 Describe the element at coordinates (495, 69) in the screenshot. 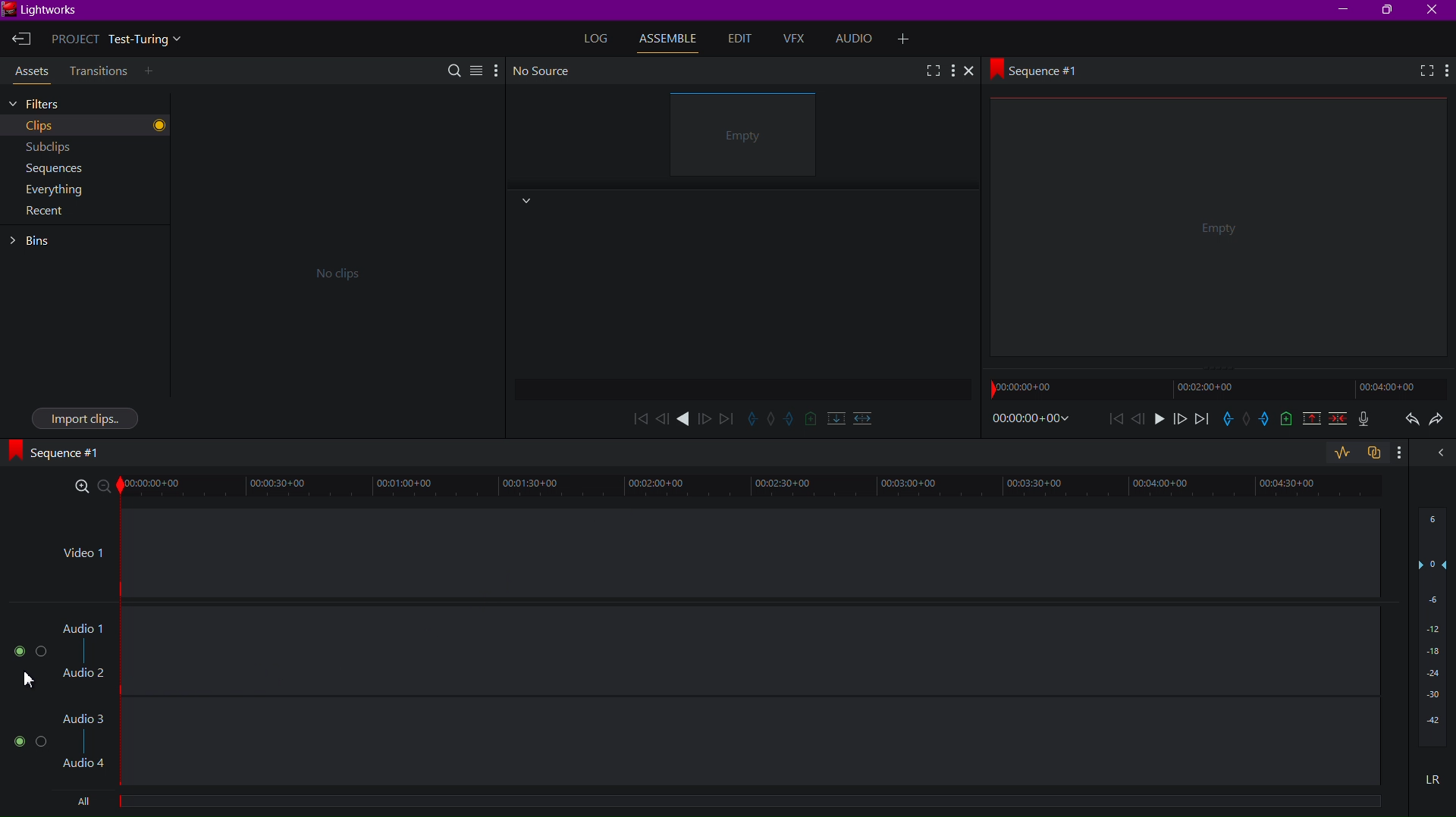

I see `More` at that location.